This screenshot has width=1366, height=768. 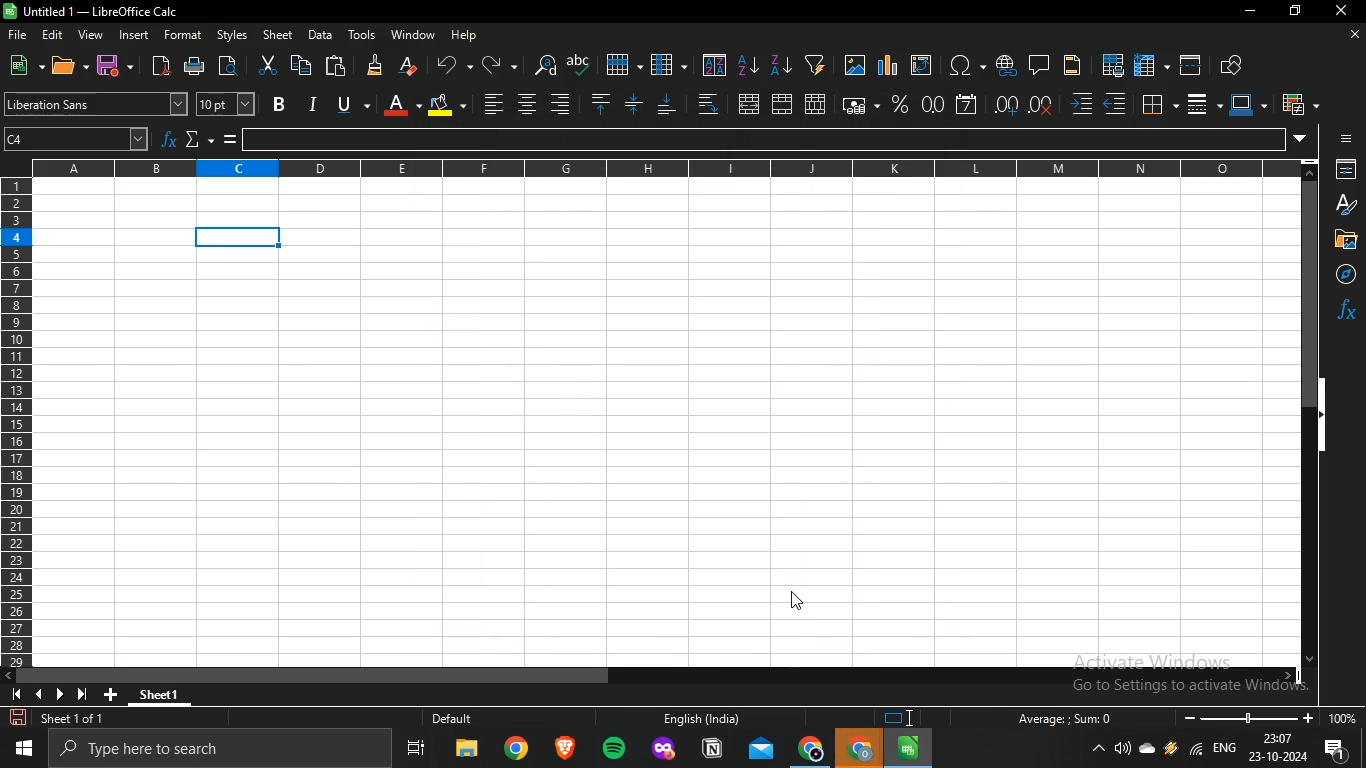 What do you see at coordinates (855, 66) in the screenshot?
I see `insert images` at bounding box center [855, 66].